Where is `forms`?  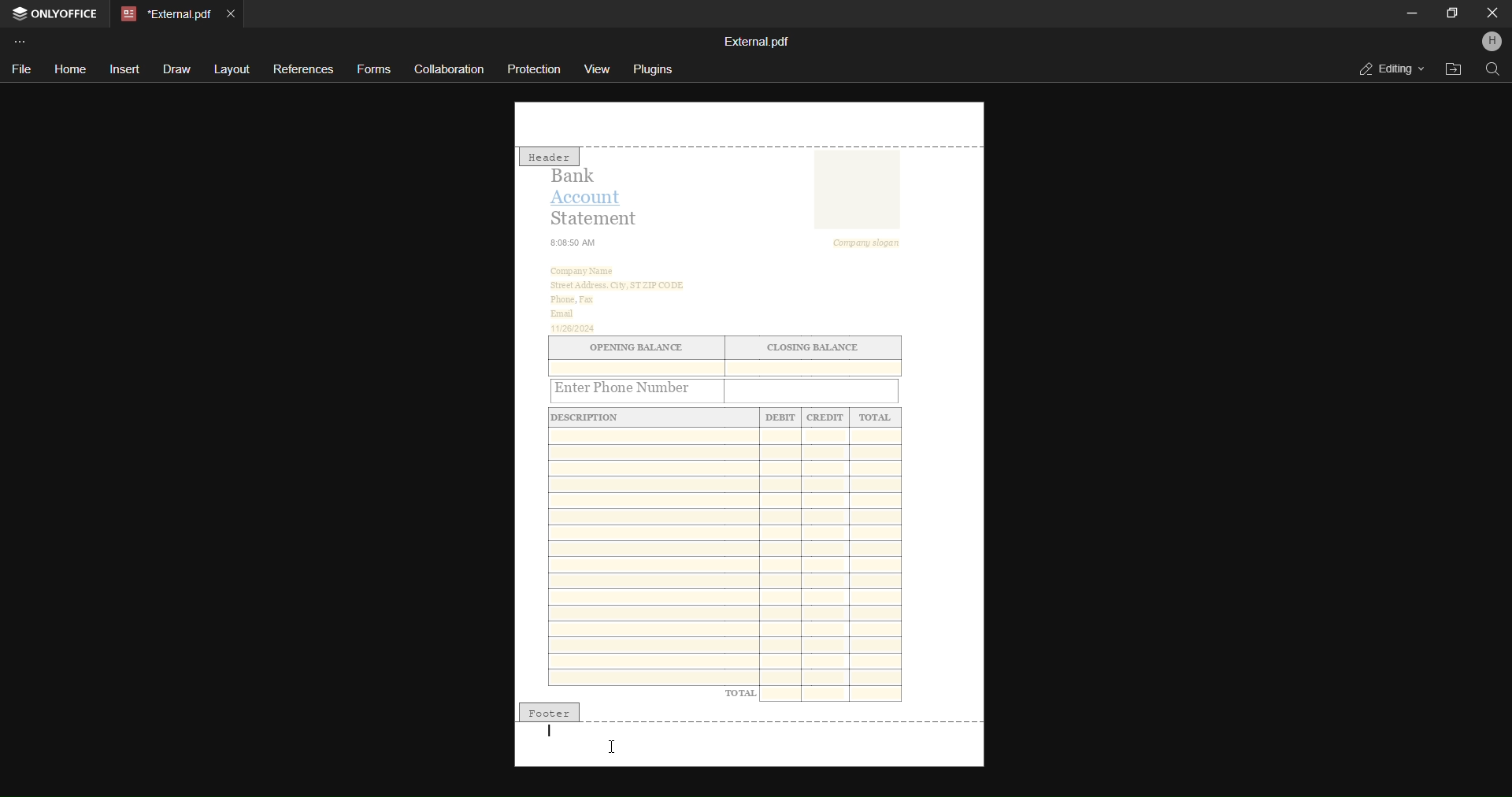 forms is located at coordinates (372, 69).